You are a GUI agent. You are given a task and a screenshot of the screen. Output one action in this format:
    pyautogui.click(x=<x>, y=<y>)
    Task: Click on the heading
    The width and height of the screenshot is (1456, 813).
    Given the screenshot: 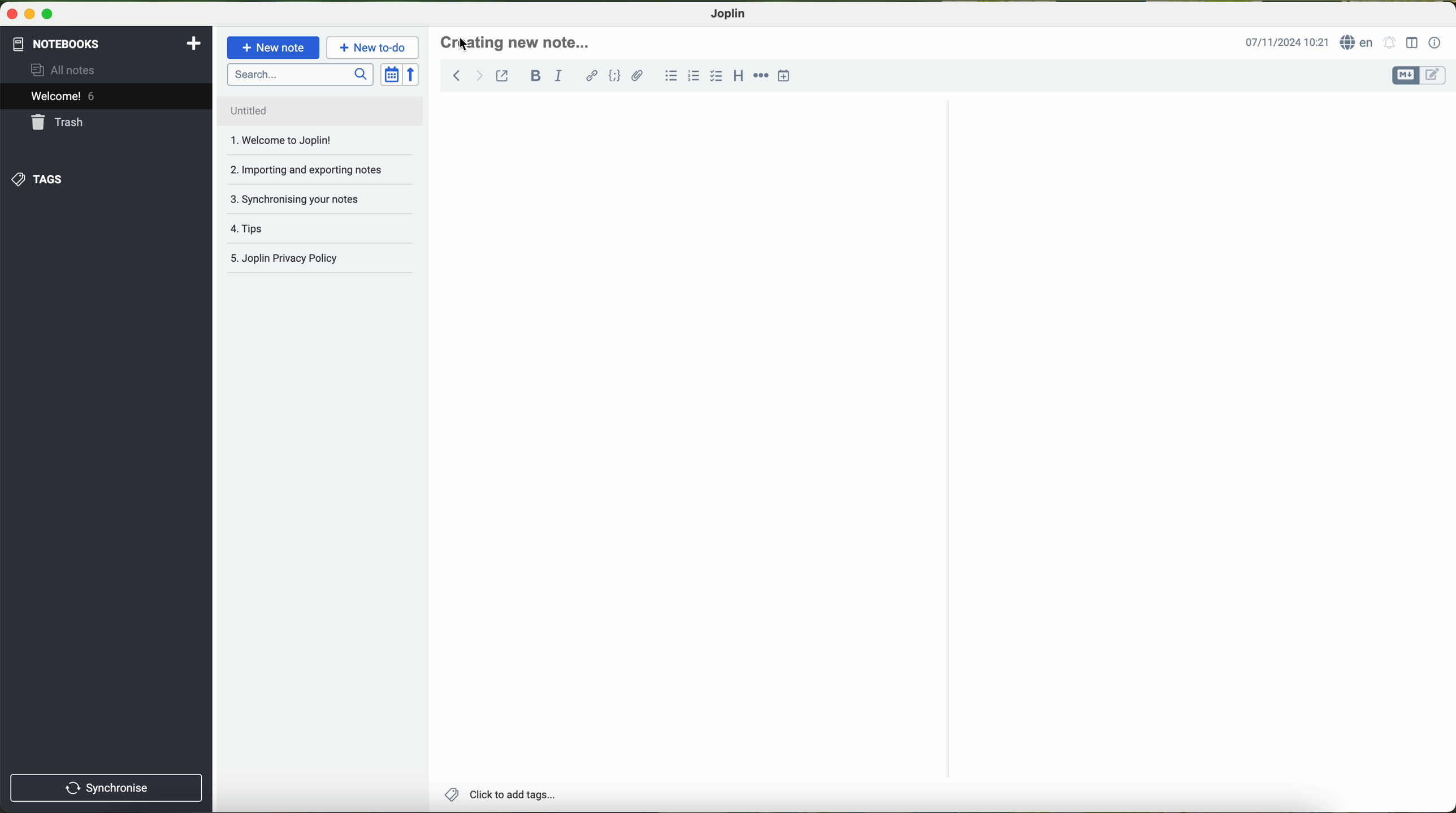 What is the action you would take?
    pyautogui.click(x=737, y=75)
    